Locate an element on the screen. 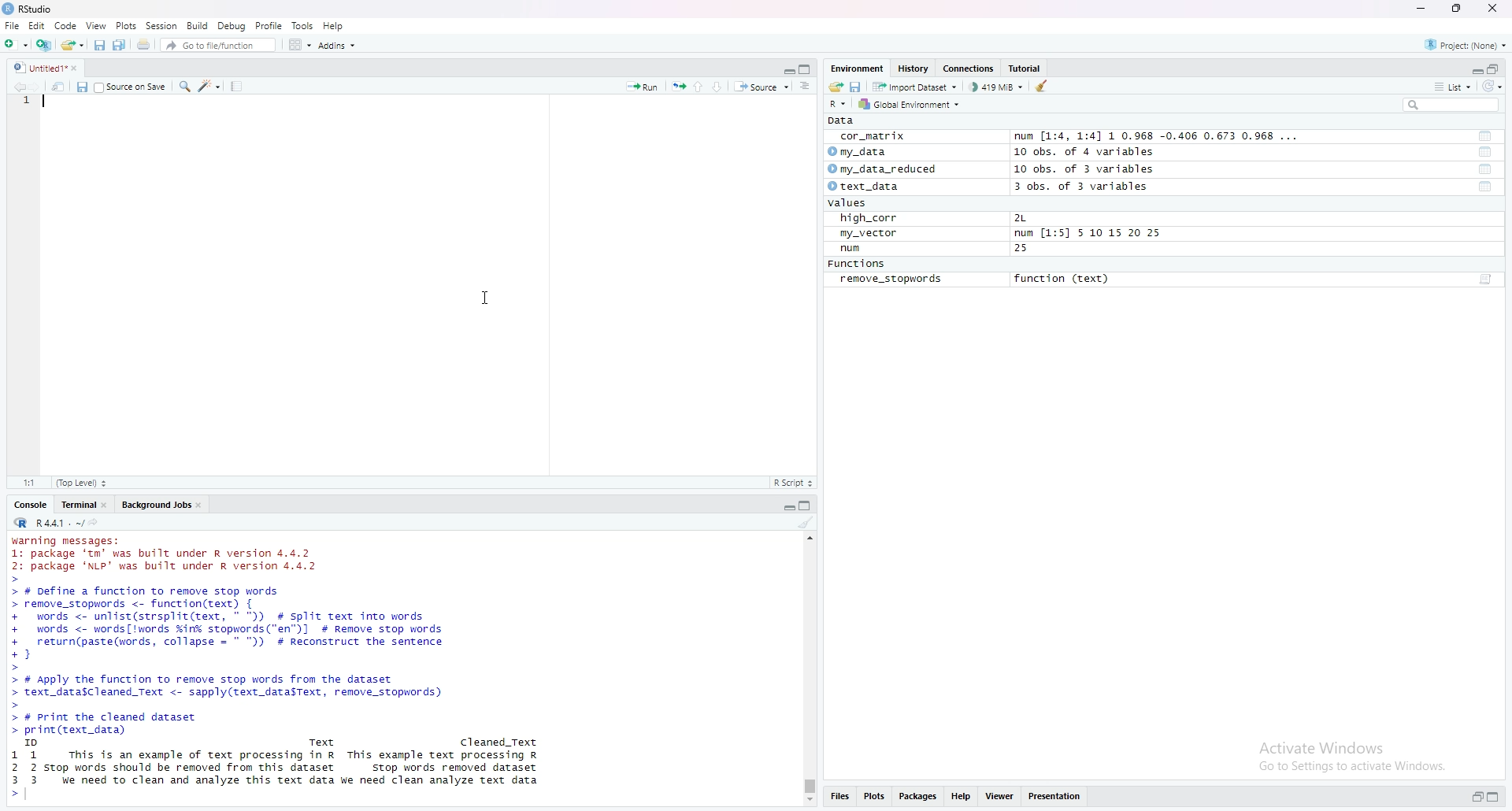 The height and width of the screenshot is (811, 1512). Background Jobs is located at coordinates (161, 505).